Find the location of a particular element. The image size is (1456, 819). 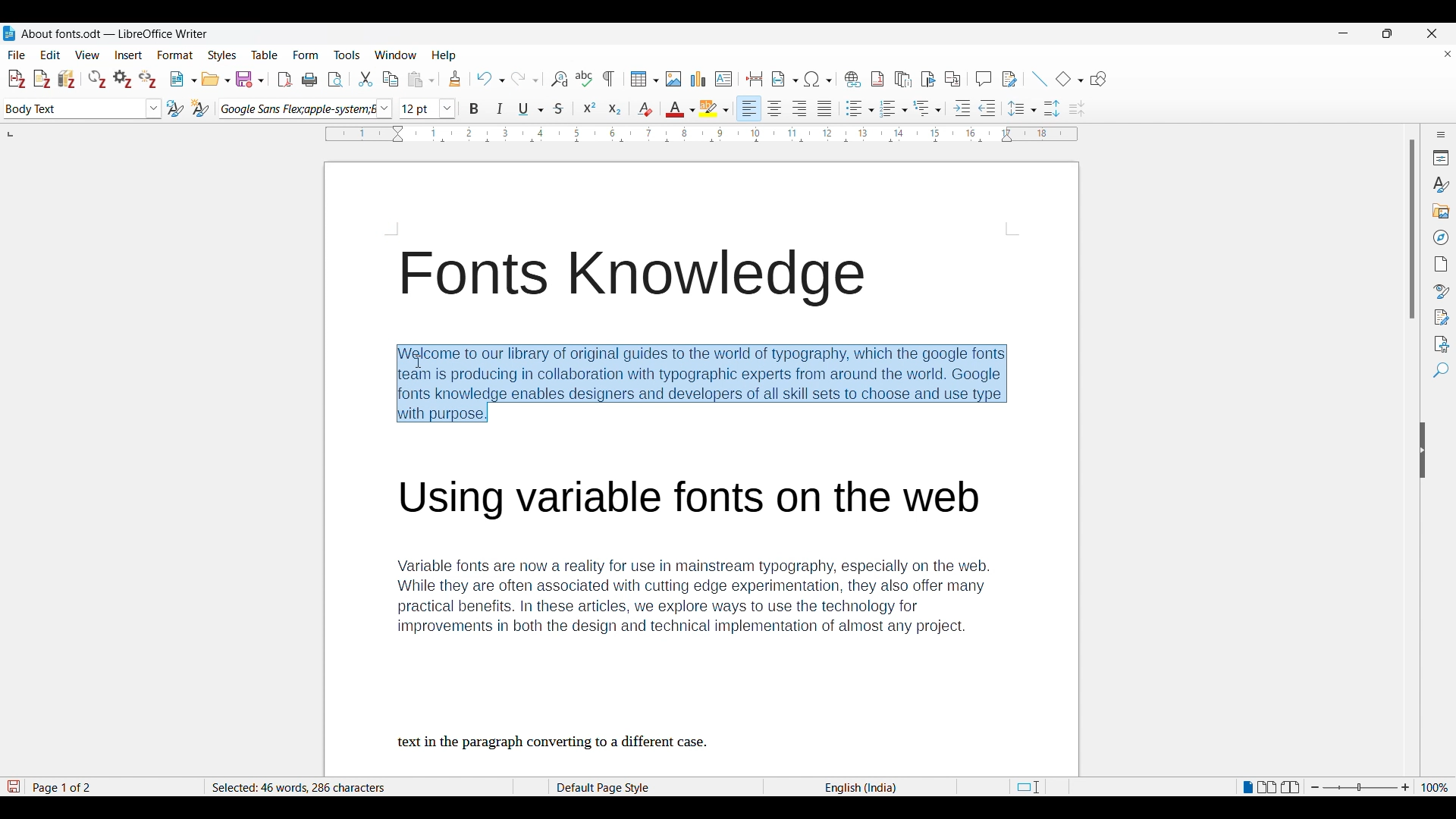

Paragraph alignment options is located at coordinates (786, 108).